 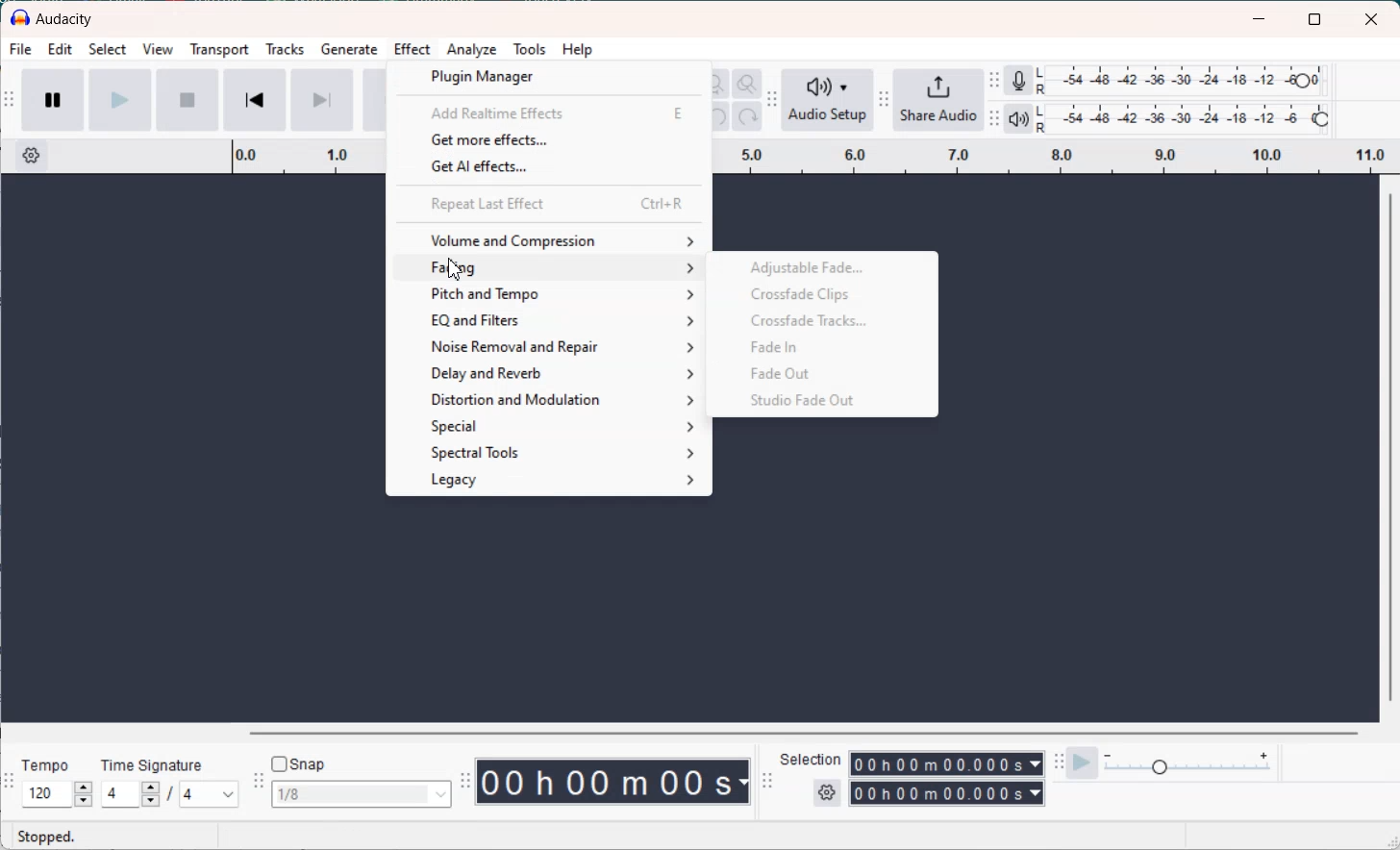 What do you see at coordinates (10, 101) in the screenshot?
I see `Audacity transport bar` at bounding box center [10, 101].